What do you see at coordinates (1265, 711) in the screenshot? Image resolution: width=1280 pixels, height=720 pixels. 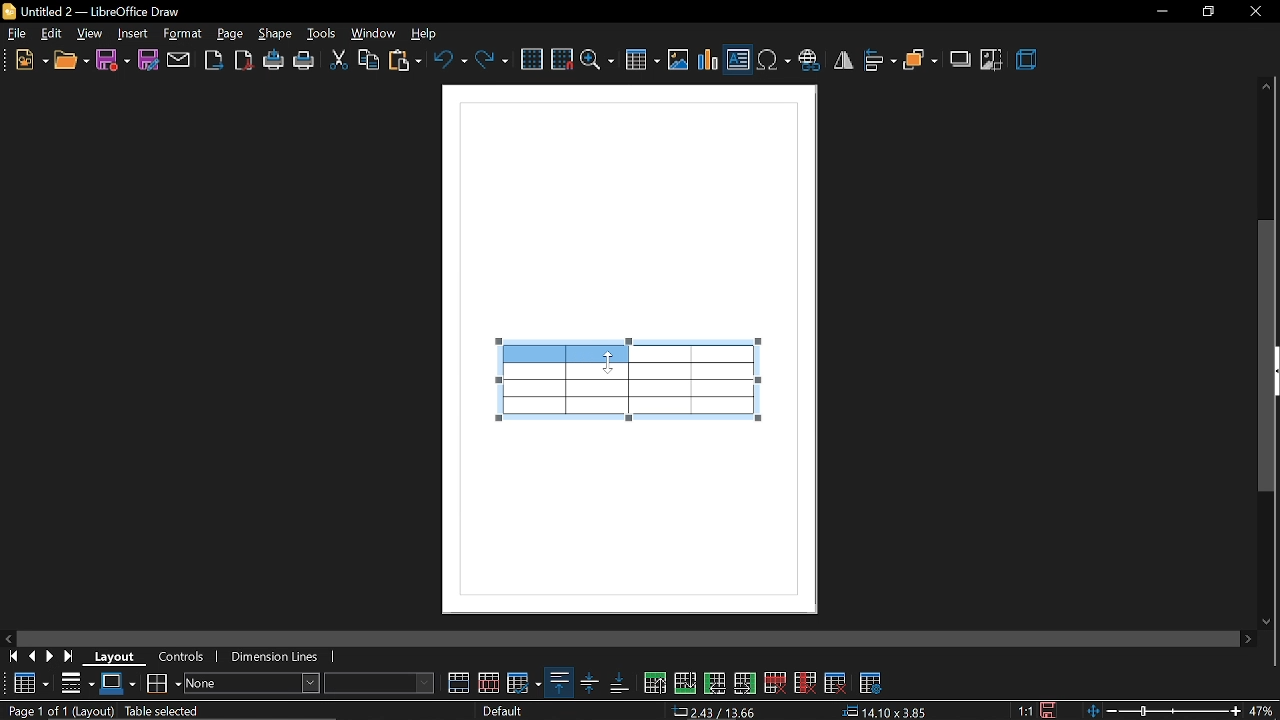 I see `47%` at bounding box center [1265, 711].